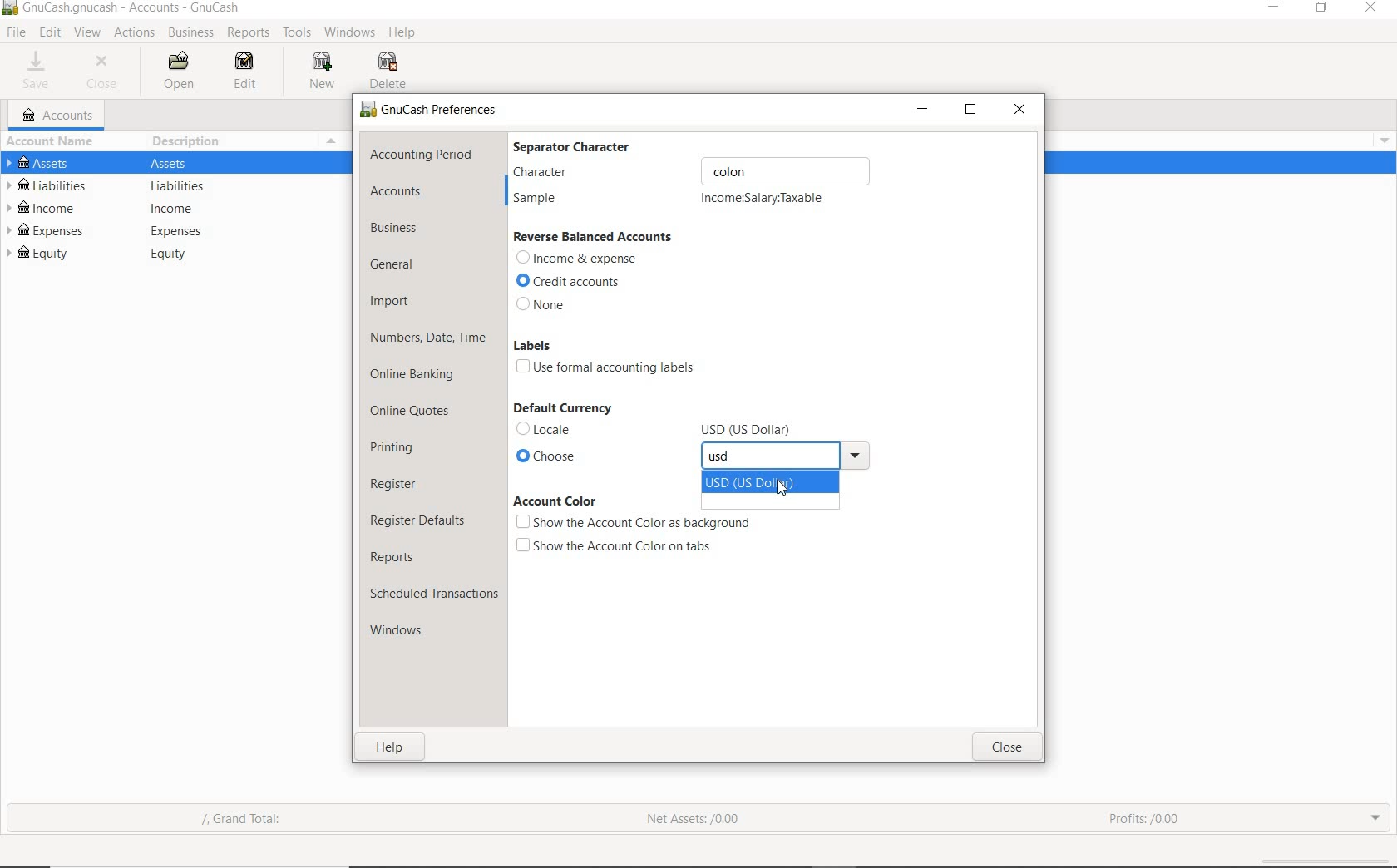 This screenshot has height=868, width=1397. What do you see at coordinates (690, 818) in the screenshot?
I see `net assets` at bounding box center [690, 818].